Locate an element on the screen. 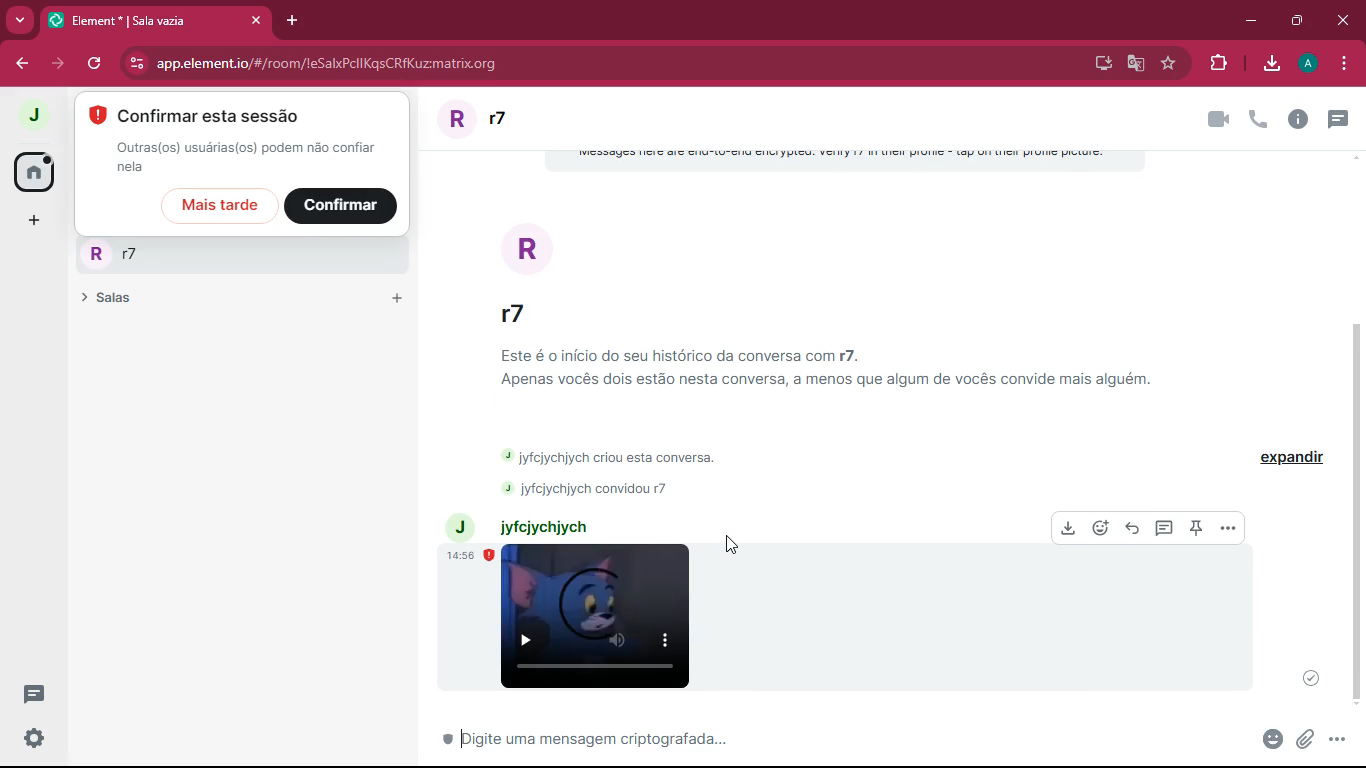 This screenshot has width=1366, height=768. download is located at coordinates (1070, 529).